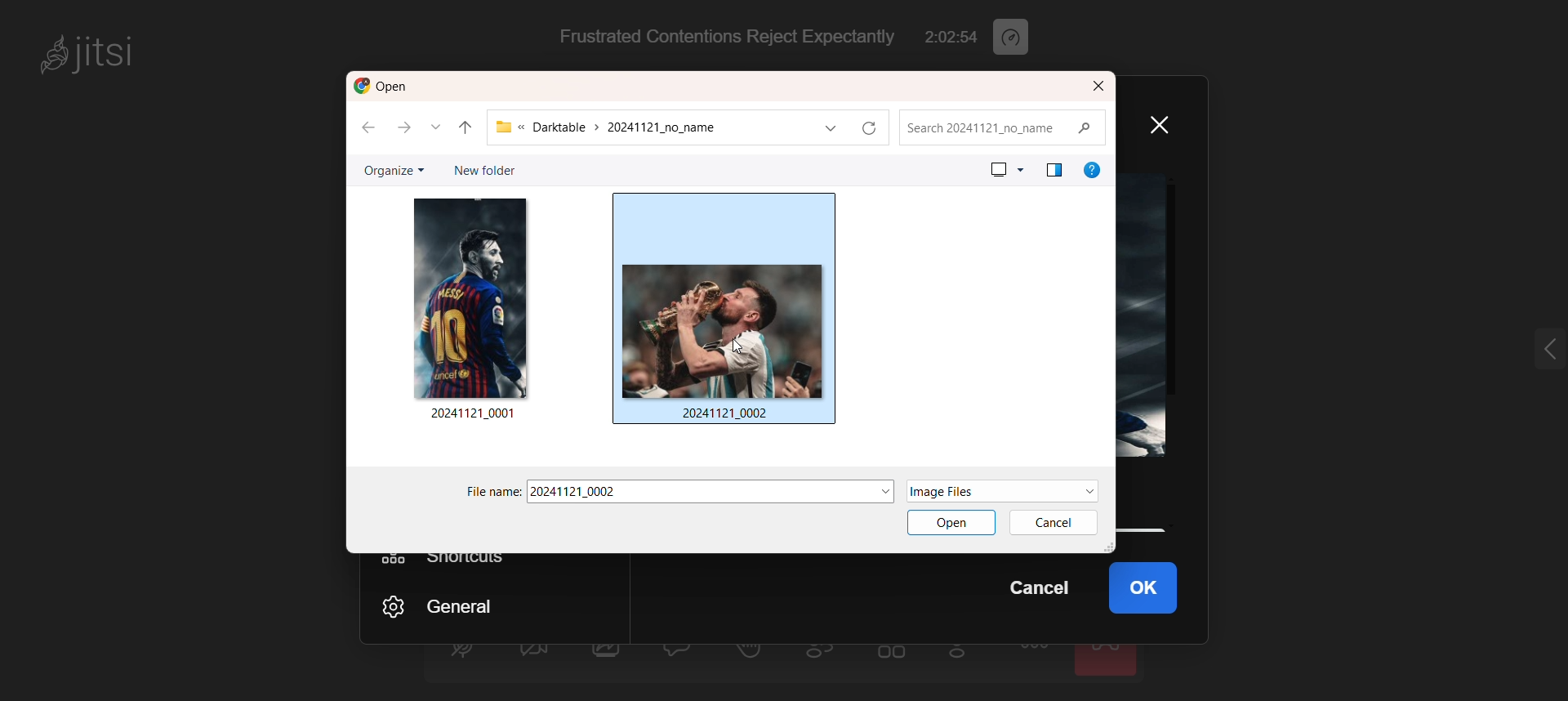 The height and width of the screenshot is (701, 1568). Describe the element at coordinates (720, 38) in the screenshot. I see `Frustrated Contentions Rejects Expectantly` at that location.